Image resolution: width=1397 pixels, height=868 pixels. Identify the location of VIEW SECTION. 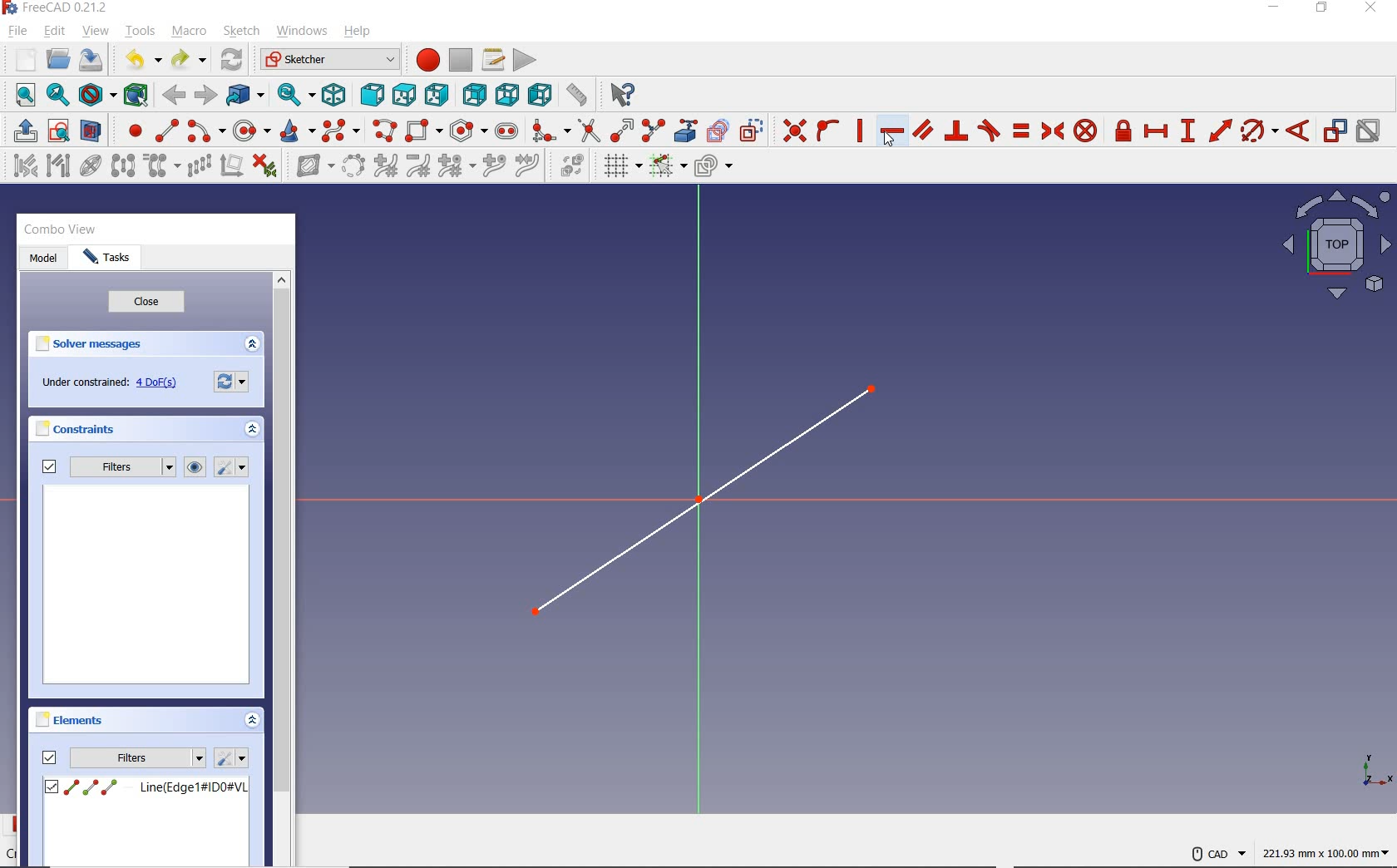
(91, 130).